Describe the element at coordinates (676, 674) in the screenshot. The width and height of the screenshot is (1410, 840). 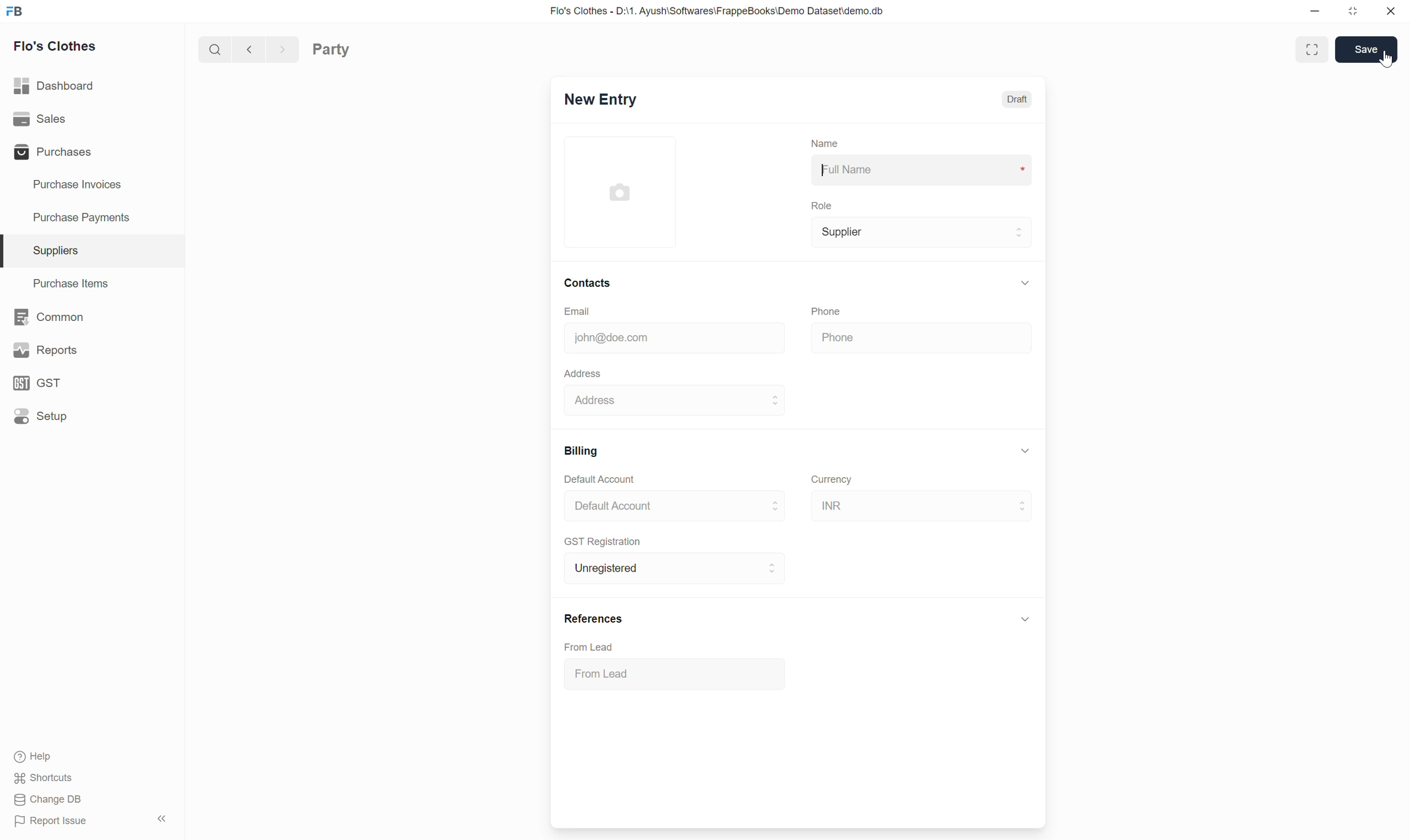
I see `From Lead` at that location.